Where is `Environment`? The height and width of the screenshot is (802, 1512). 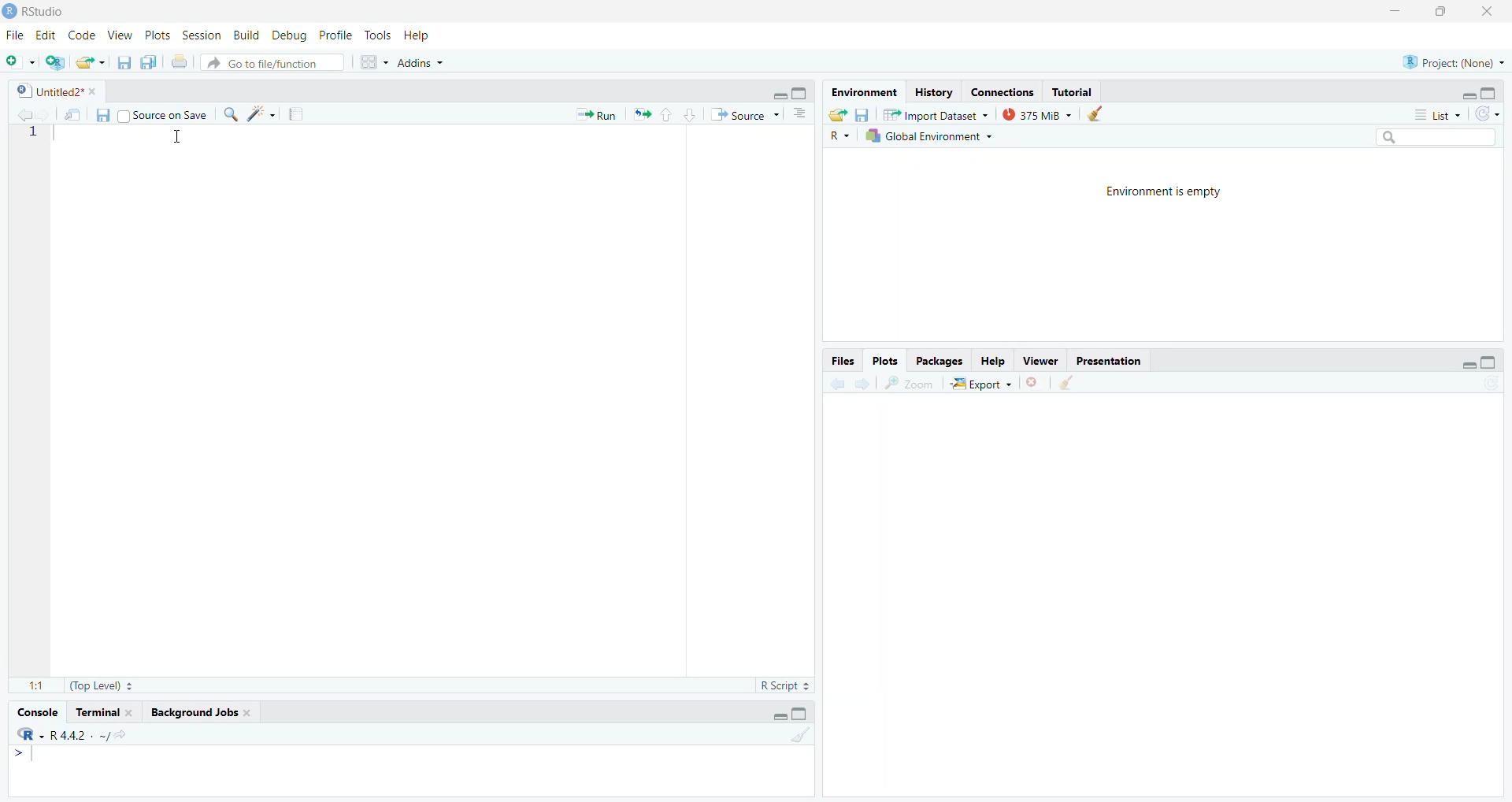 Environment is located at coordinates (858, 92).